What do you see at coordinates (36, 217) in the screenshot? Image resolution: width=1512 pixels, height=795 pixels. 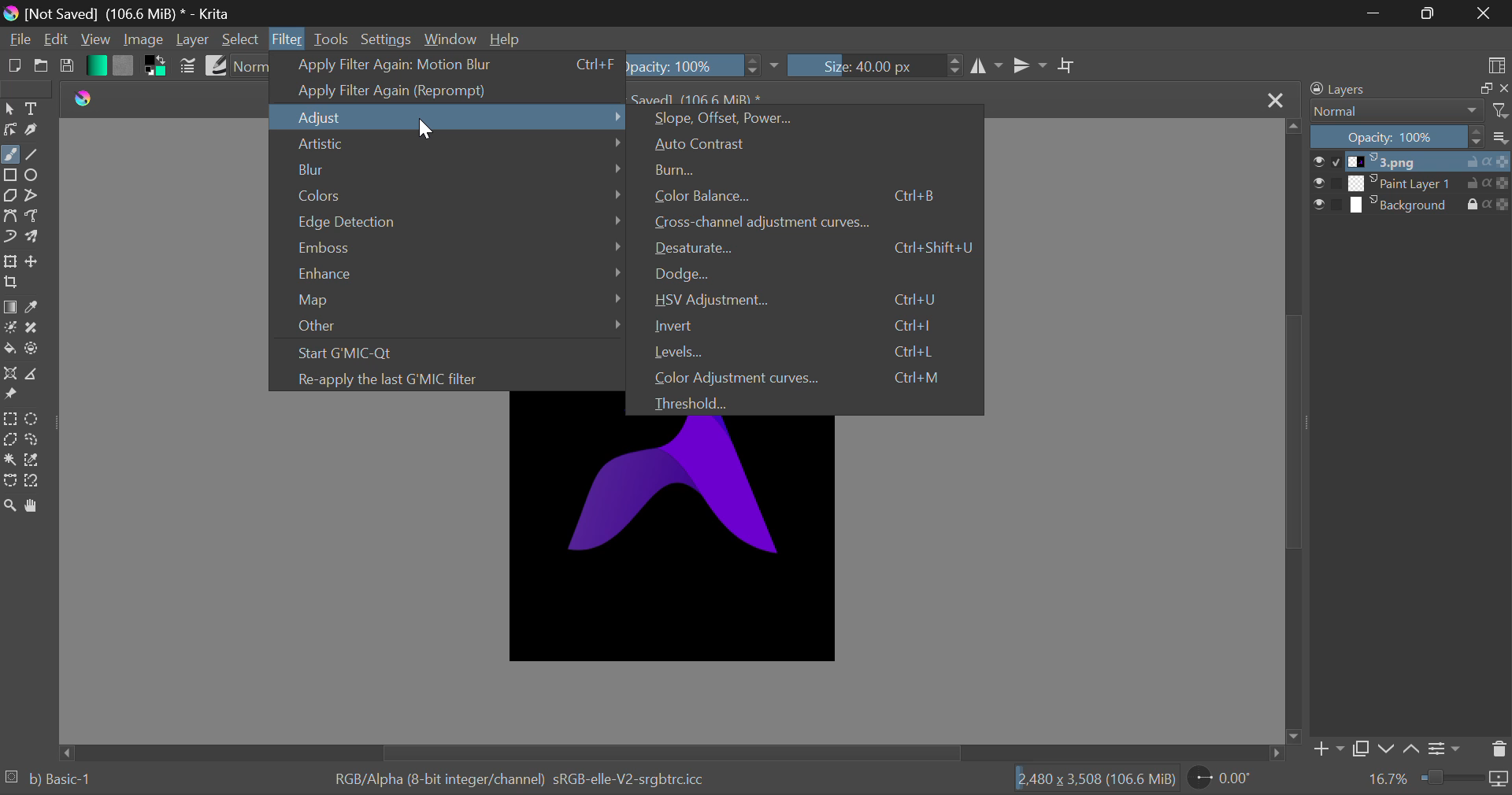 I see `Freehand Path Tool` at bounding box center [36, 217].